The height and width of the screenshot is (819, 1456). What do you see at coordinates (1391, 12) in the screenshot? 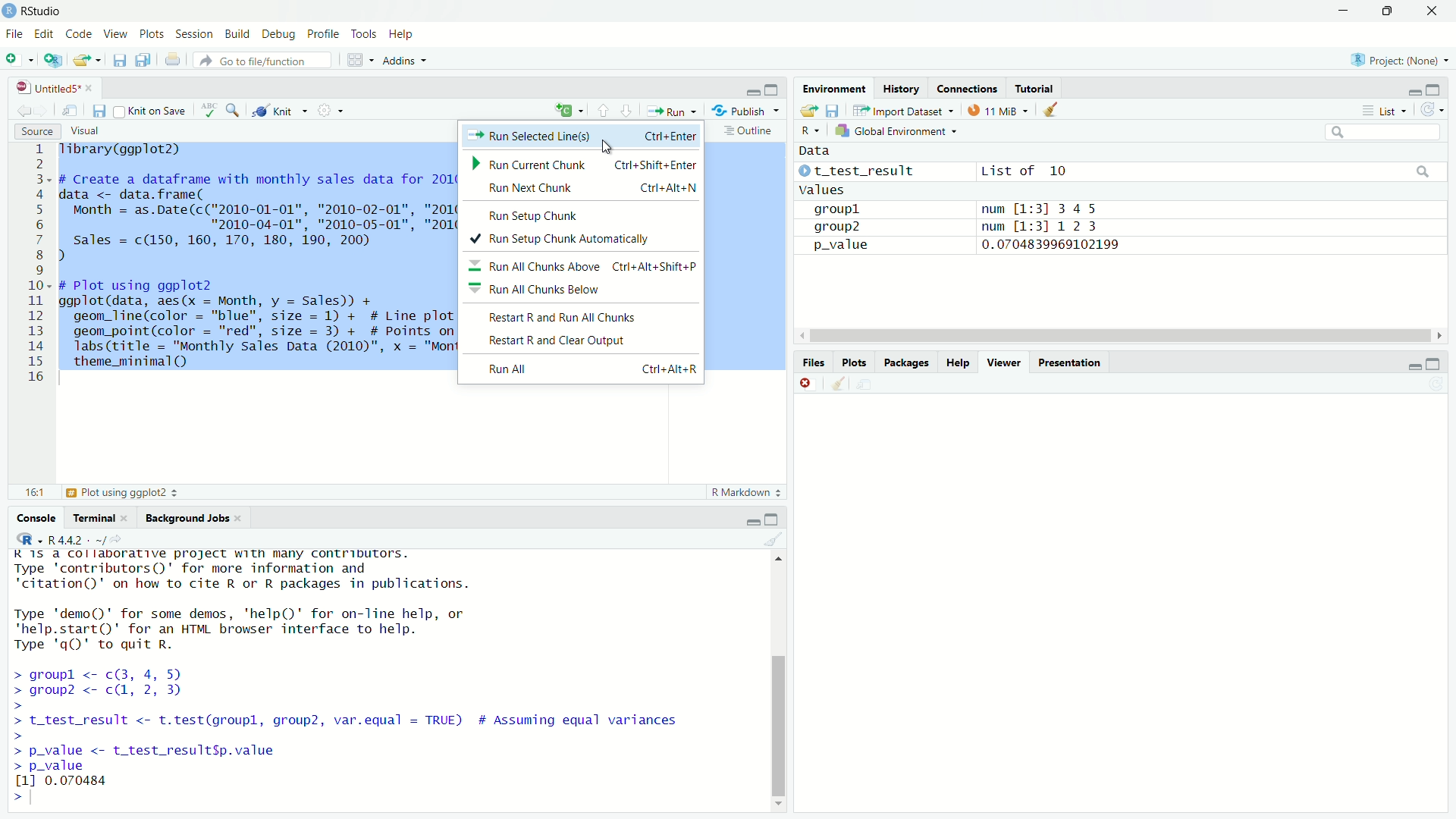
I see `down` at bounding box center [1391, 12].